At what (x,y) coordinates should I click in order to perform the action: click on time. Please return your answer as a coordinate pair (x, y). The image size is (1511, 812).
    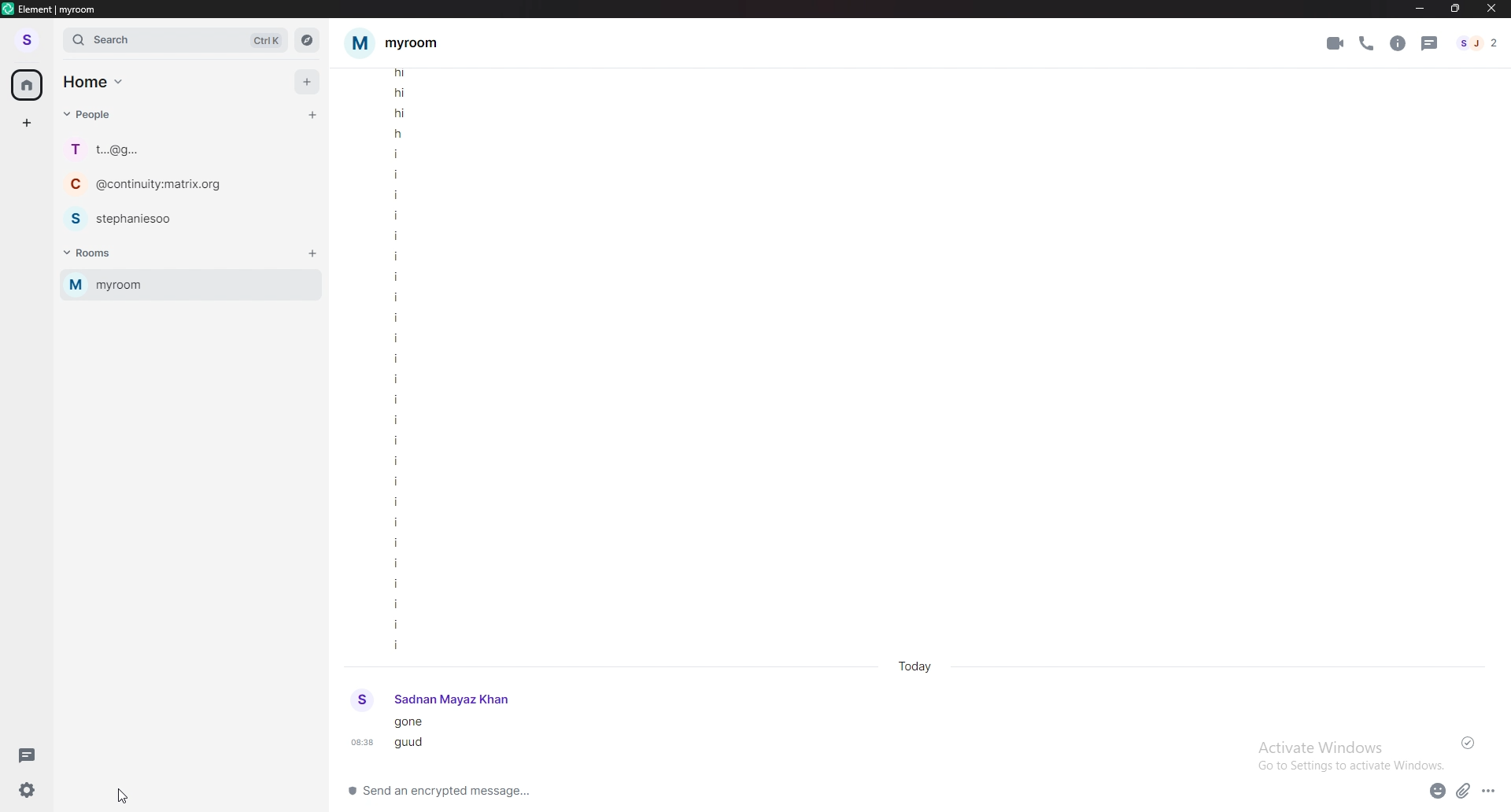
    Looking at the image, I should click on (918, 666).